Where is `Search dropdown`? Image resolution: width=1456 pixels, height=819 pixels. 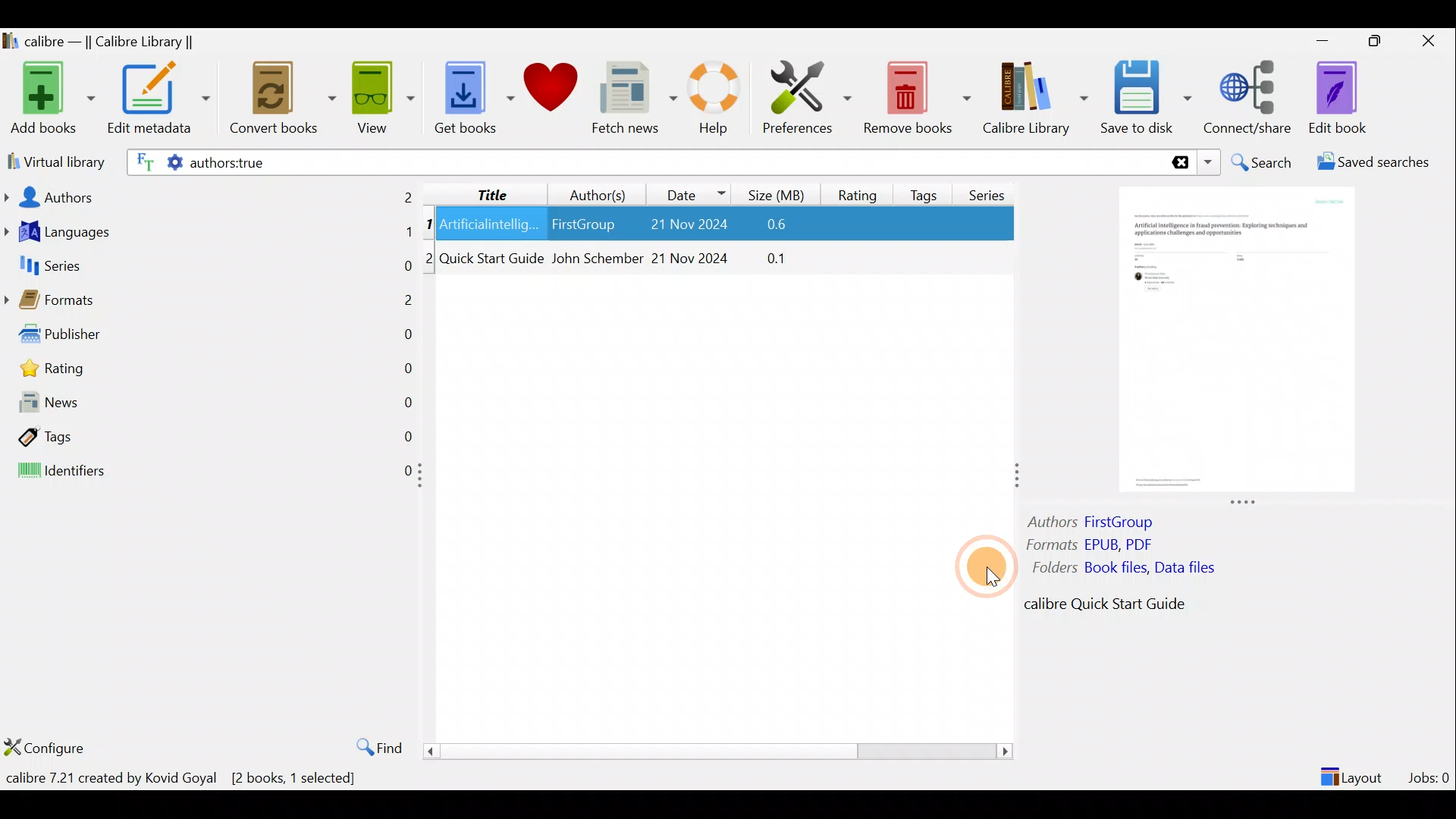 Search dropdown is located at coordinates (1210, 162).